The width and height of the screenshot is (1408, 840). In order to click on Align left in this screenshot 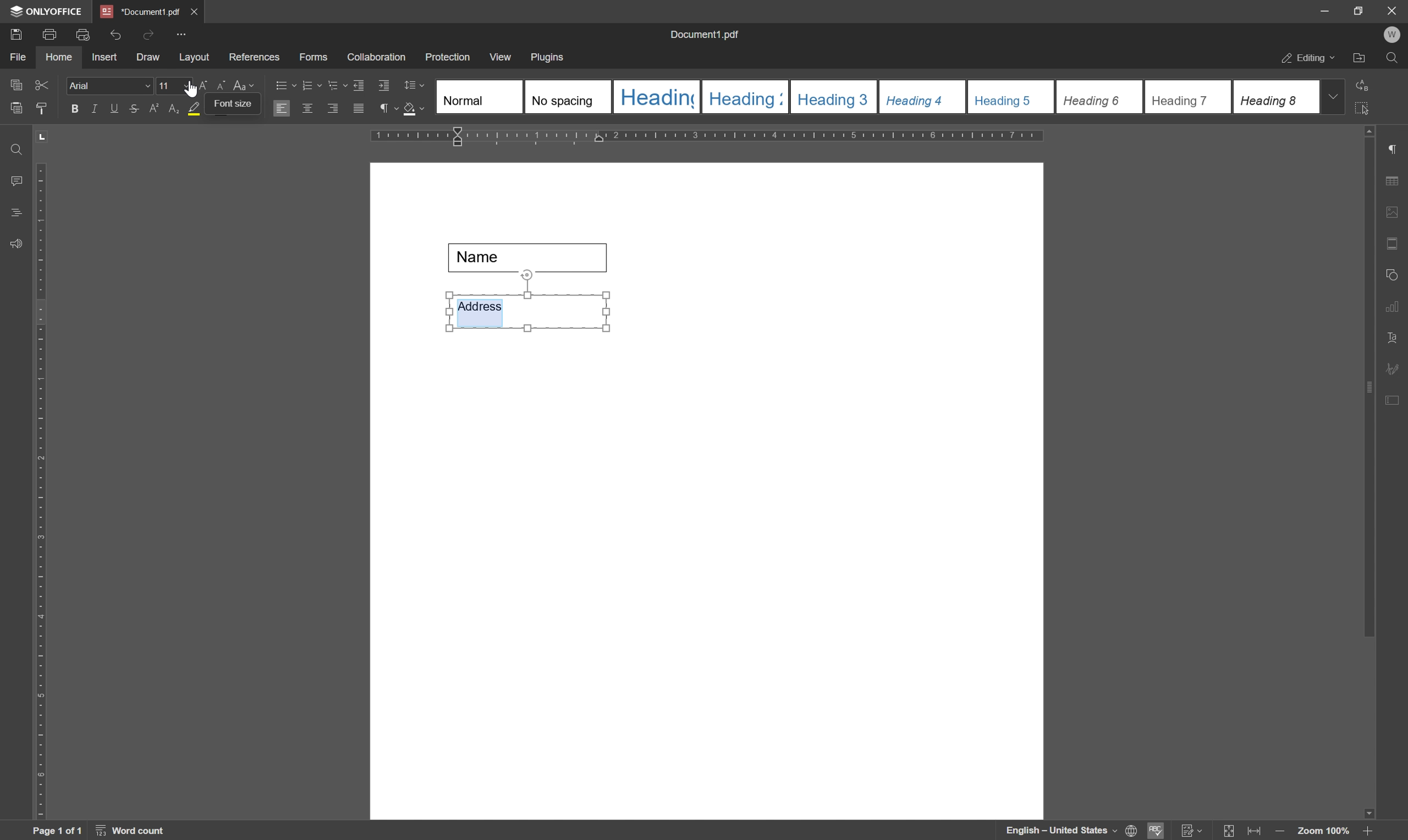, I will do `click(282, 109)`.